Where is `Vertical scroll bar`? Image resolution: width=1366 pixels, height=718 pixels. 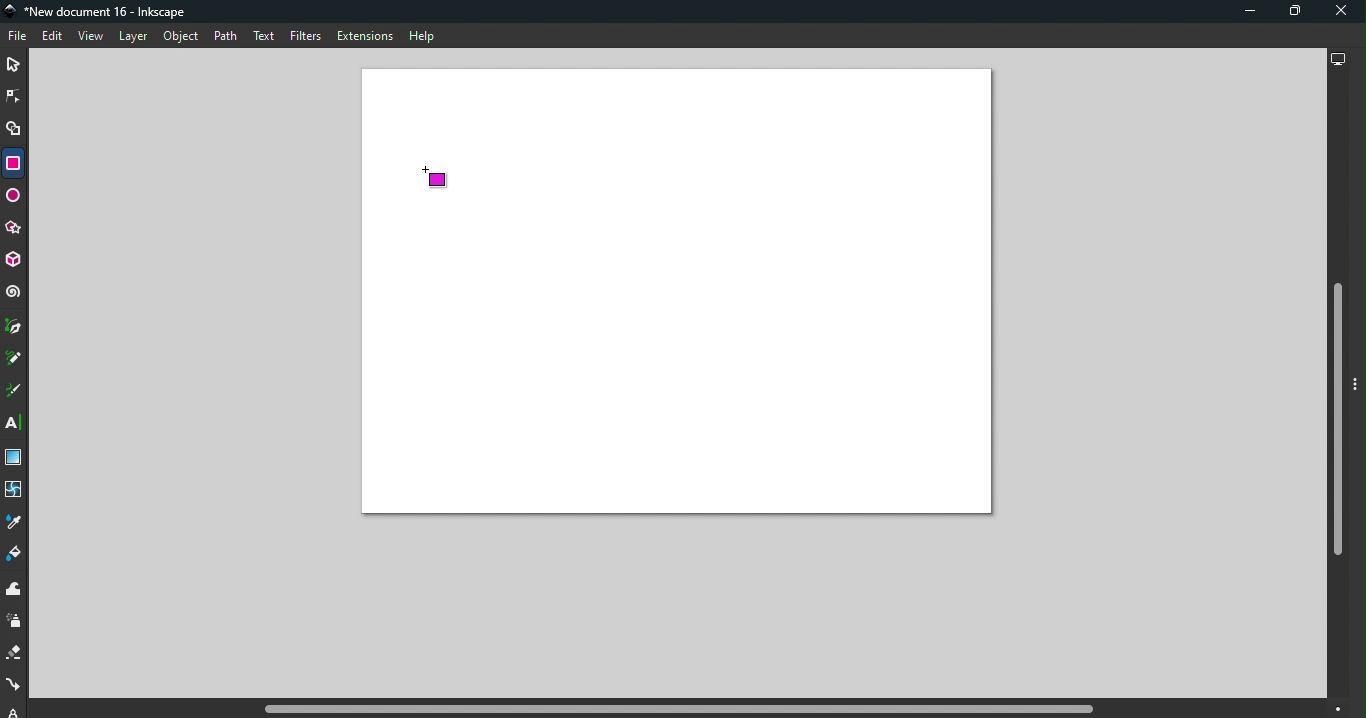
Vertical scroll bar is located at coordinates (1336, 387).